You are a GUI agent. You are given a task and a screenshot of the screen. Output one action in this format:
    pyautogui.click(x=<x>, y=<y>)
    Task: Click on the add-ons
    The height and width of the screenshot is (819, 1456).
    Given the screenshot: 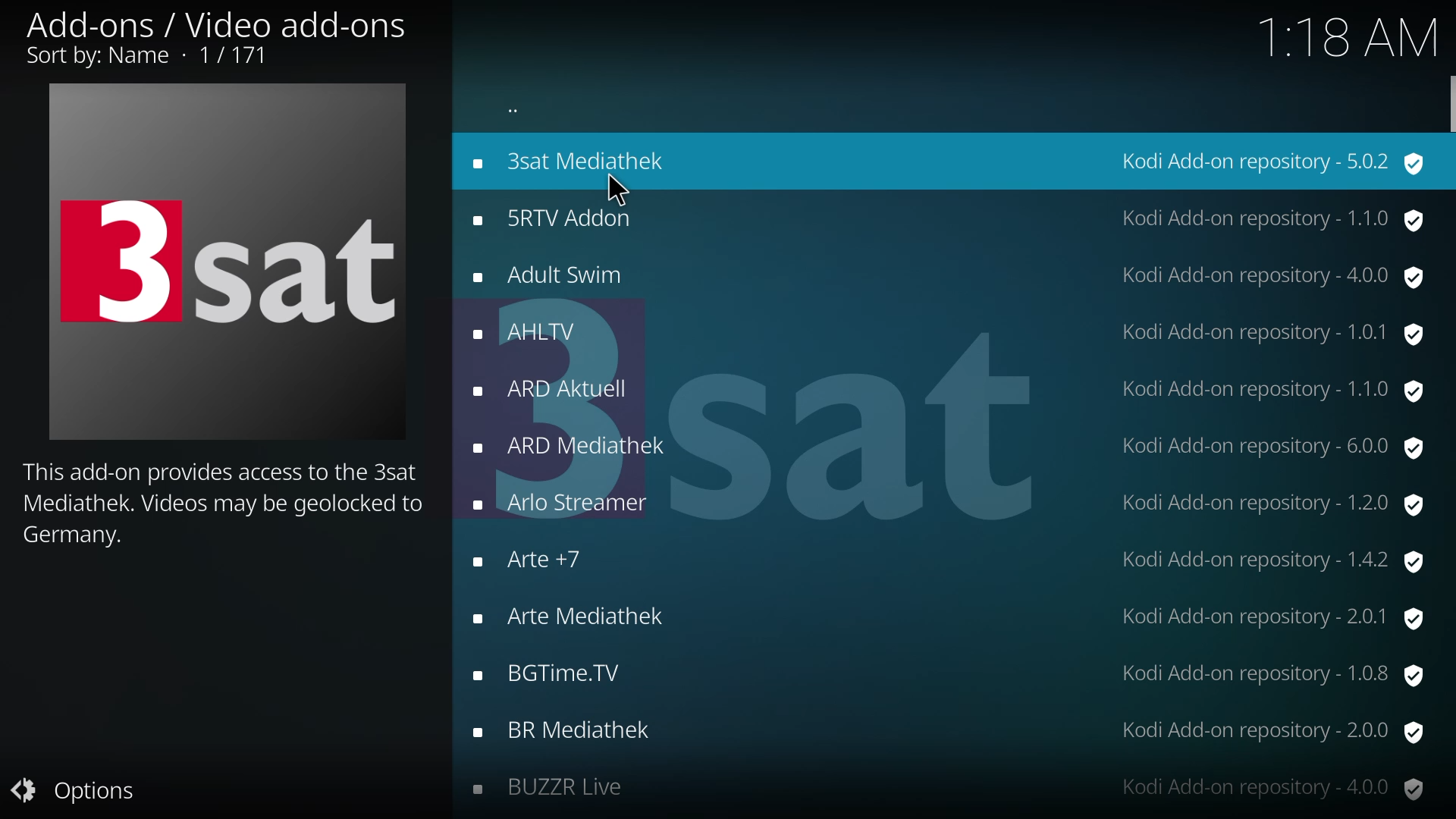 What is the action you would take?
    pyautogui.click(x=532, y=329)
    